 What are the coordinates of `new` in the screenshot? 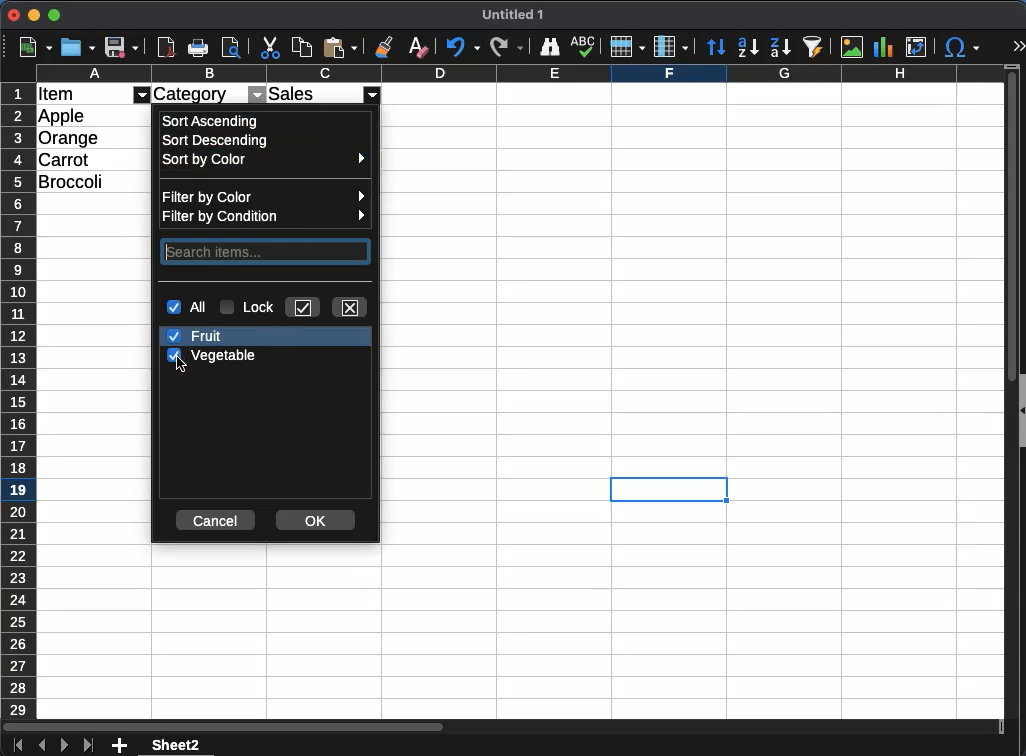 It's located at (36, 47).